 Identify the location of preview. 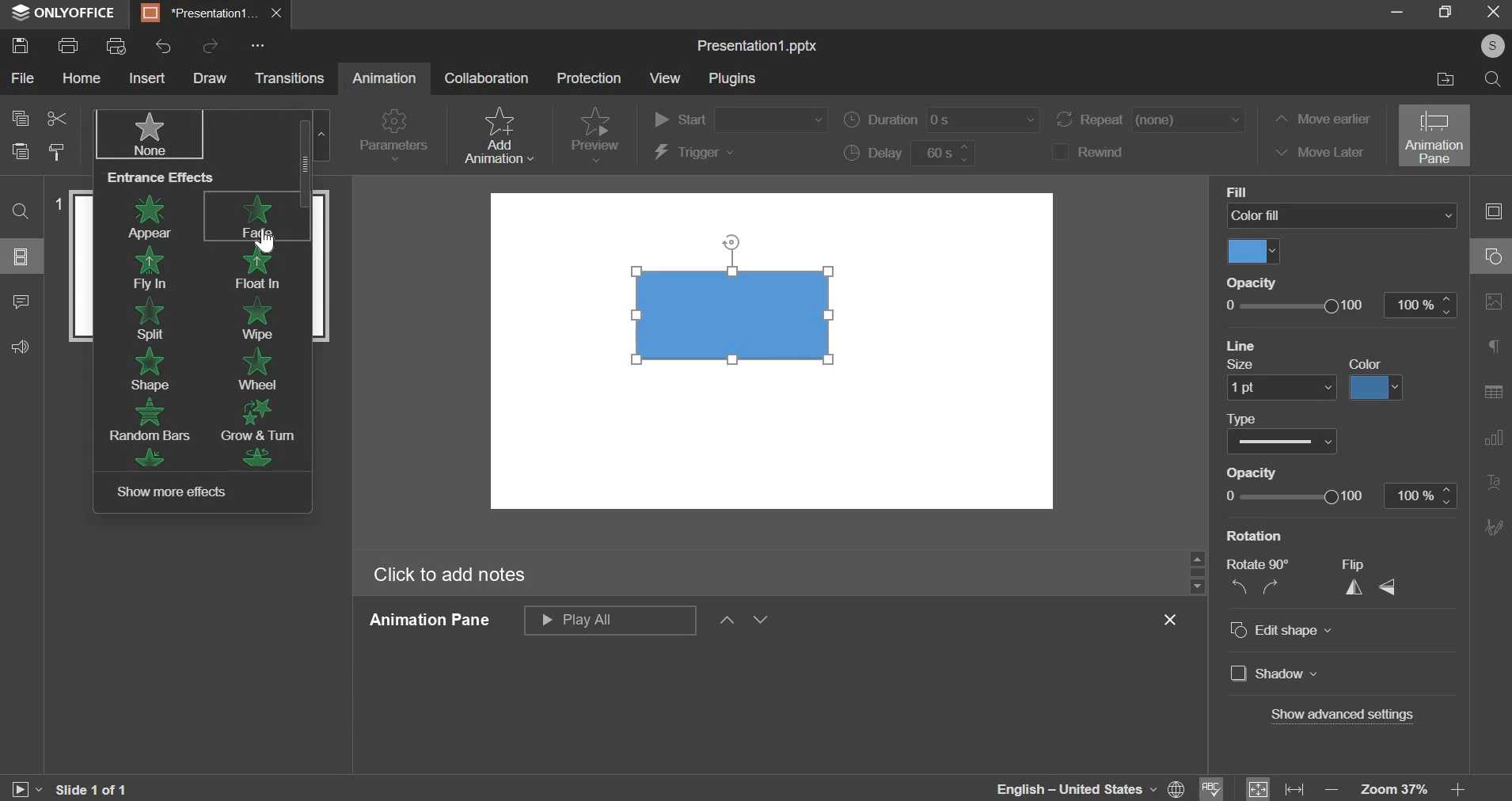
(596, 129).